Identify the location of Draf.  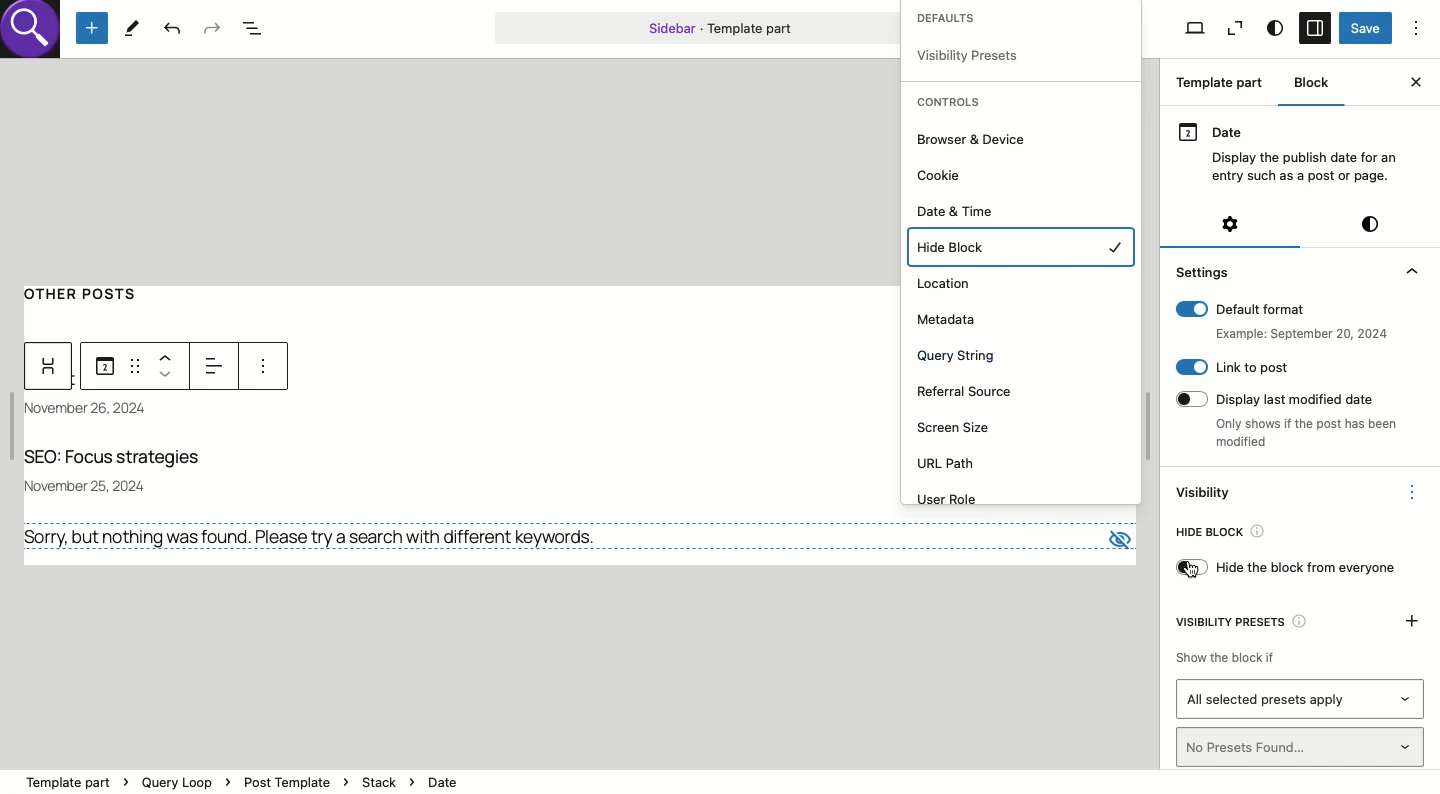
(133, 364).